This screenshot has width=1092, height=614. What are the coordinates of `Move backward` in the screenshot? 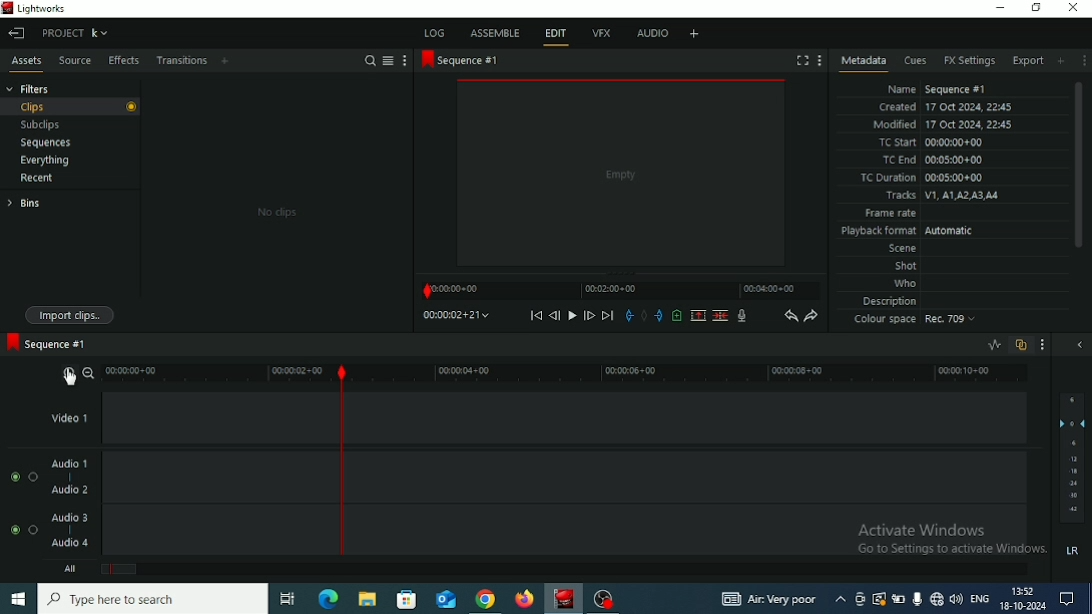 It's located at (535, 316).